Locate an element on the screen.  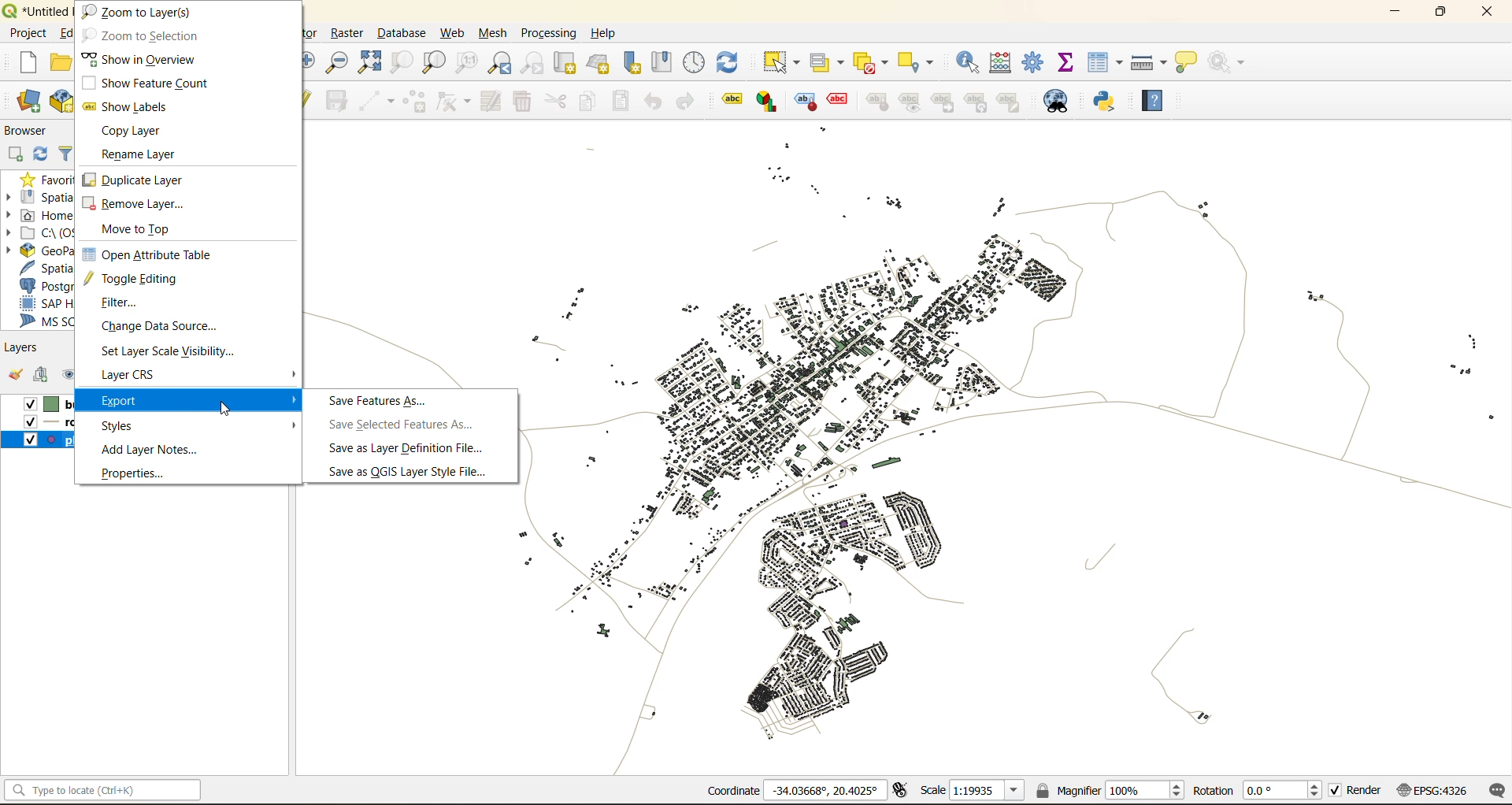
database is located at coordinates (406, 32).